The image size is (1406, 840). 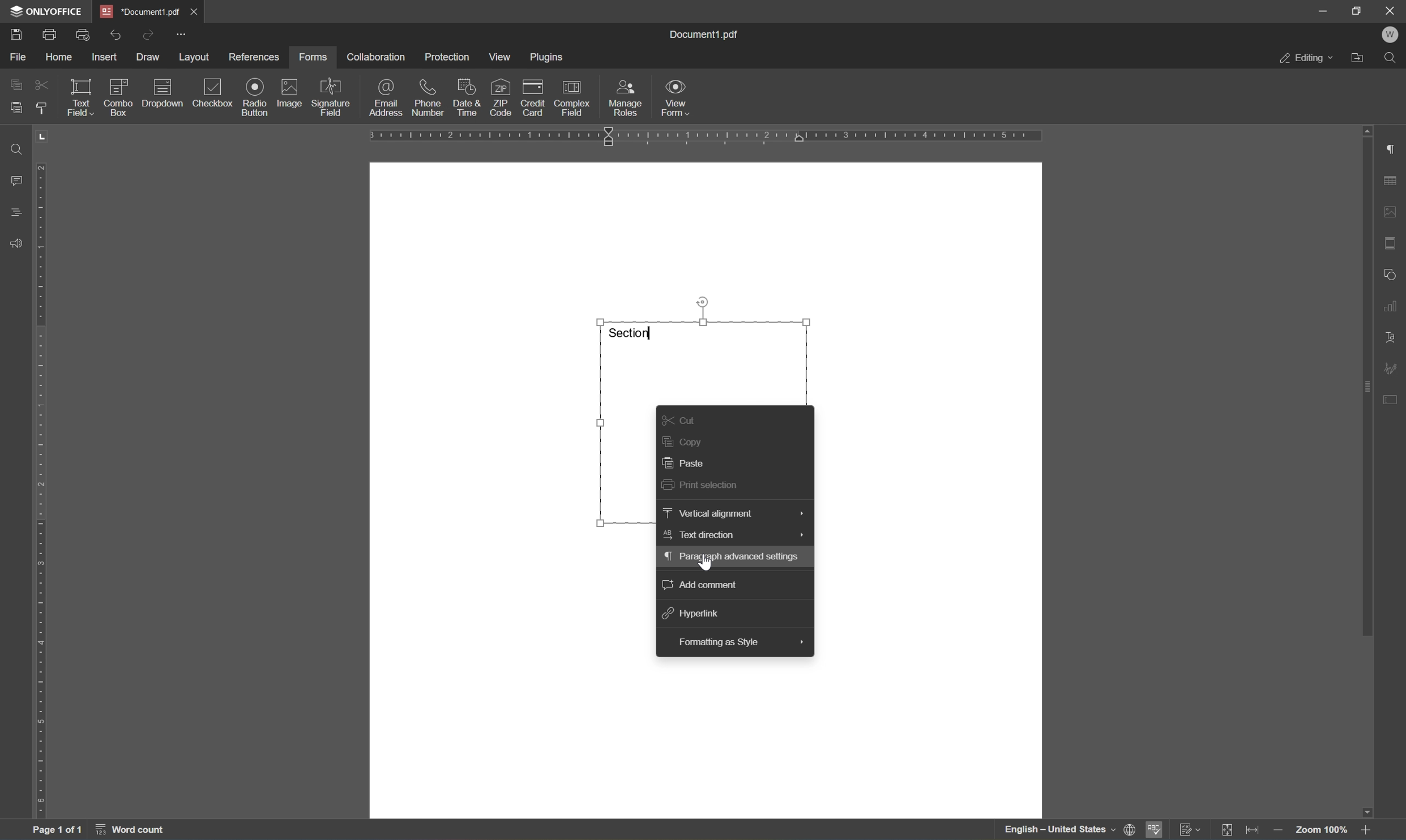 I want to click on file, so click(x=19, y=55).